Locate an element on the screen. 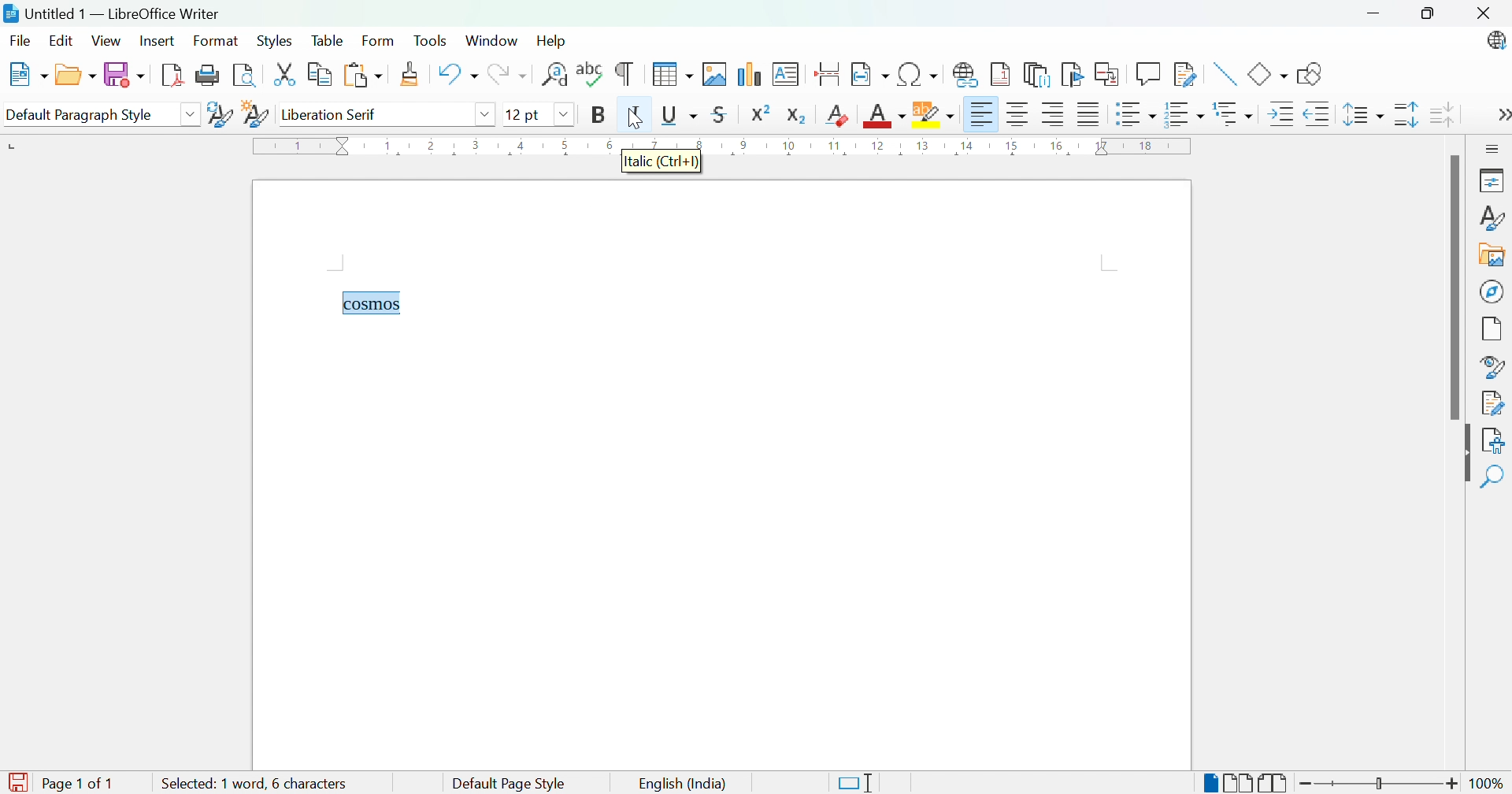  100% is located at coordinates (1490, 785).